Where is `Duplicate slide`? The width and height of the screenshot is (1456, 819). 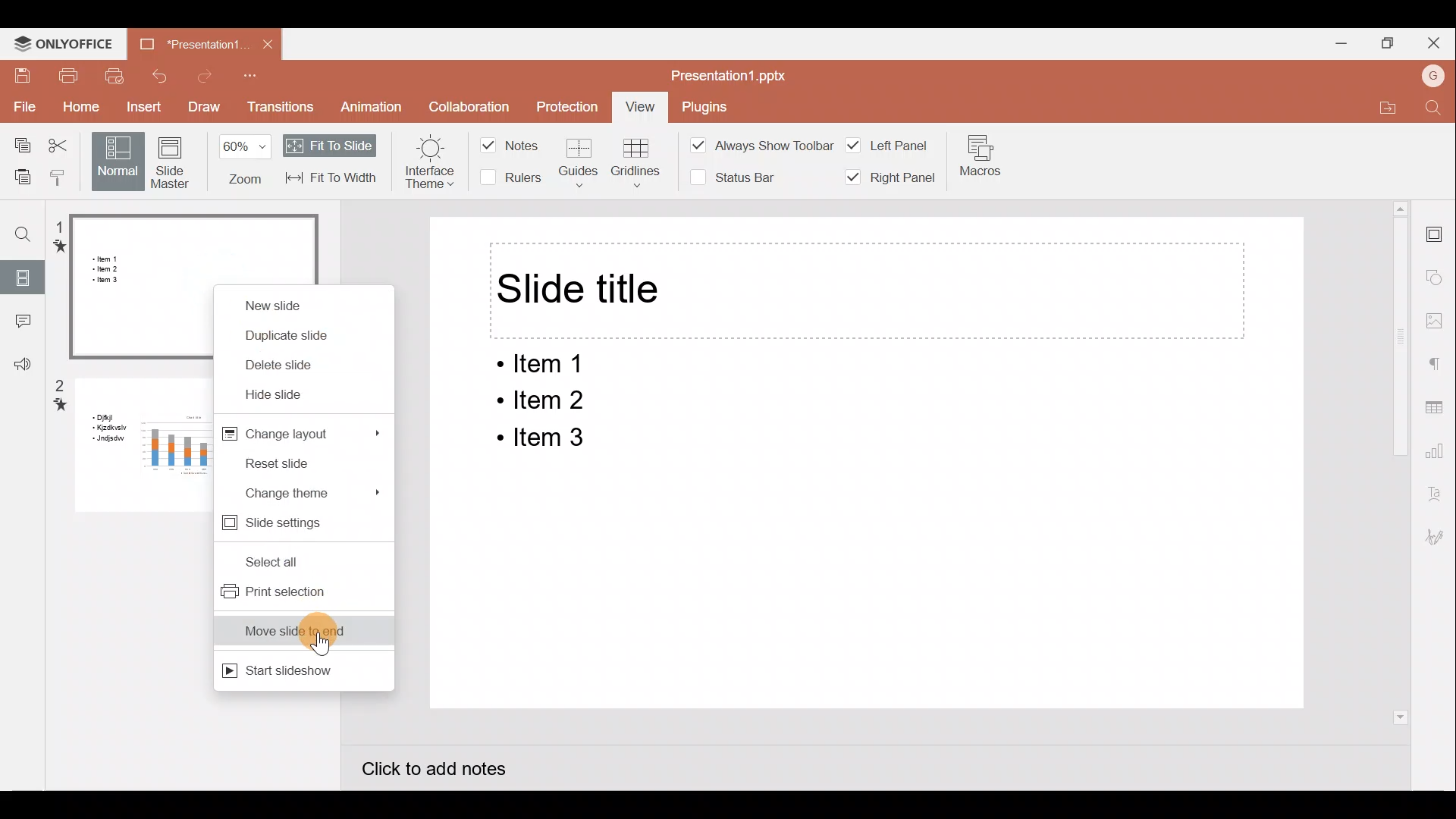 Duplicate slide is located at coordinates (301, 332).